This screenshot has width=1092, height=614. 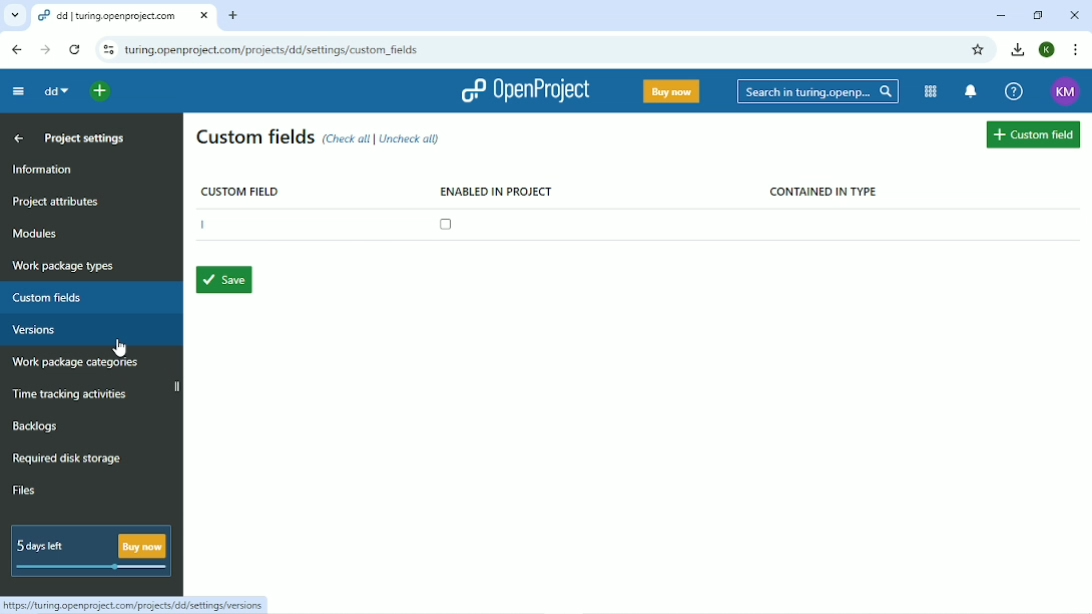 I want to click on Collapse project menu, so click(x=19, y=92).